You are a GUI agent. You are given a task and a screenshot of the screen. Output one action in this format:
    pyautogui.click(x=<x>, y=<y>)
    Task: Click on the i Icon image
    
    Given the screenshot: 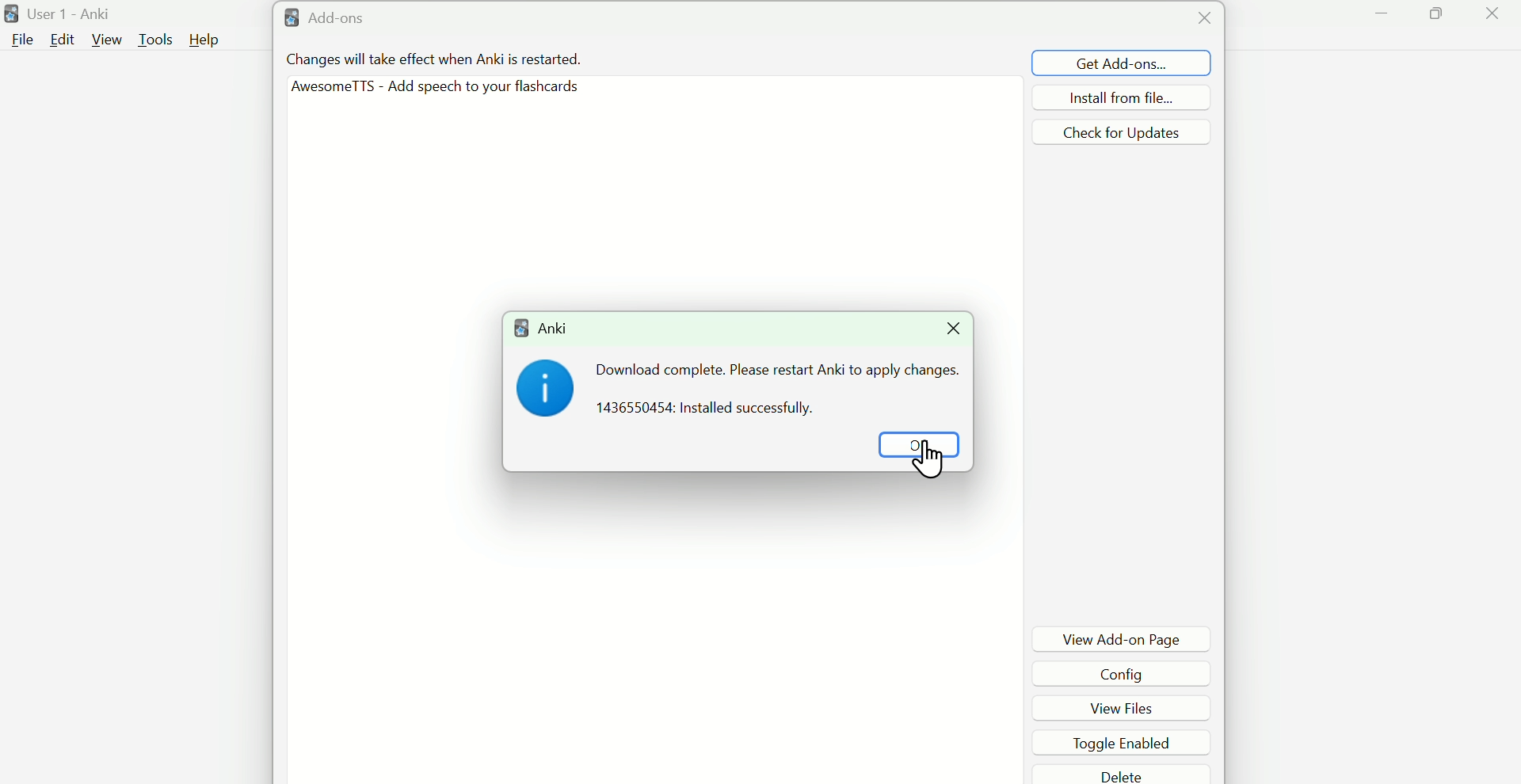 What is the action you would take?
    pyautogui.click(x=547, y=389)
    